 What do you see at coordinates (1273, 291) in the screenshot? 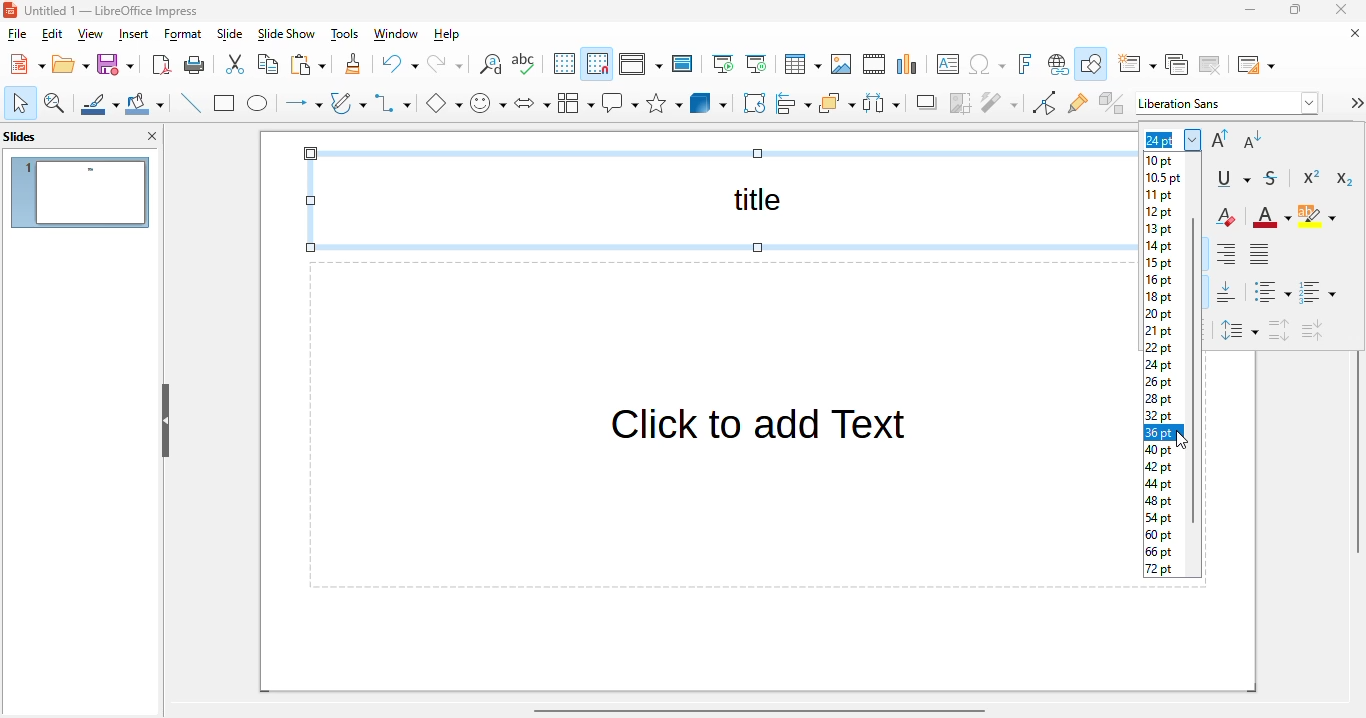
I see `toggle unordered list` at bounding box center [1273, 291].